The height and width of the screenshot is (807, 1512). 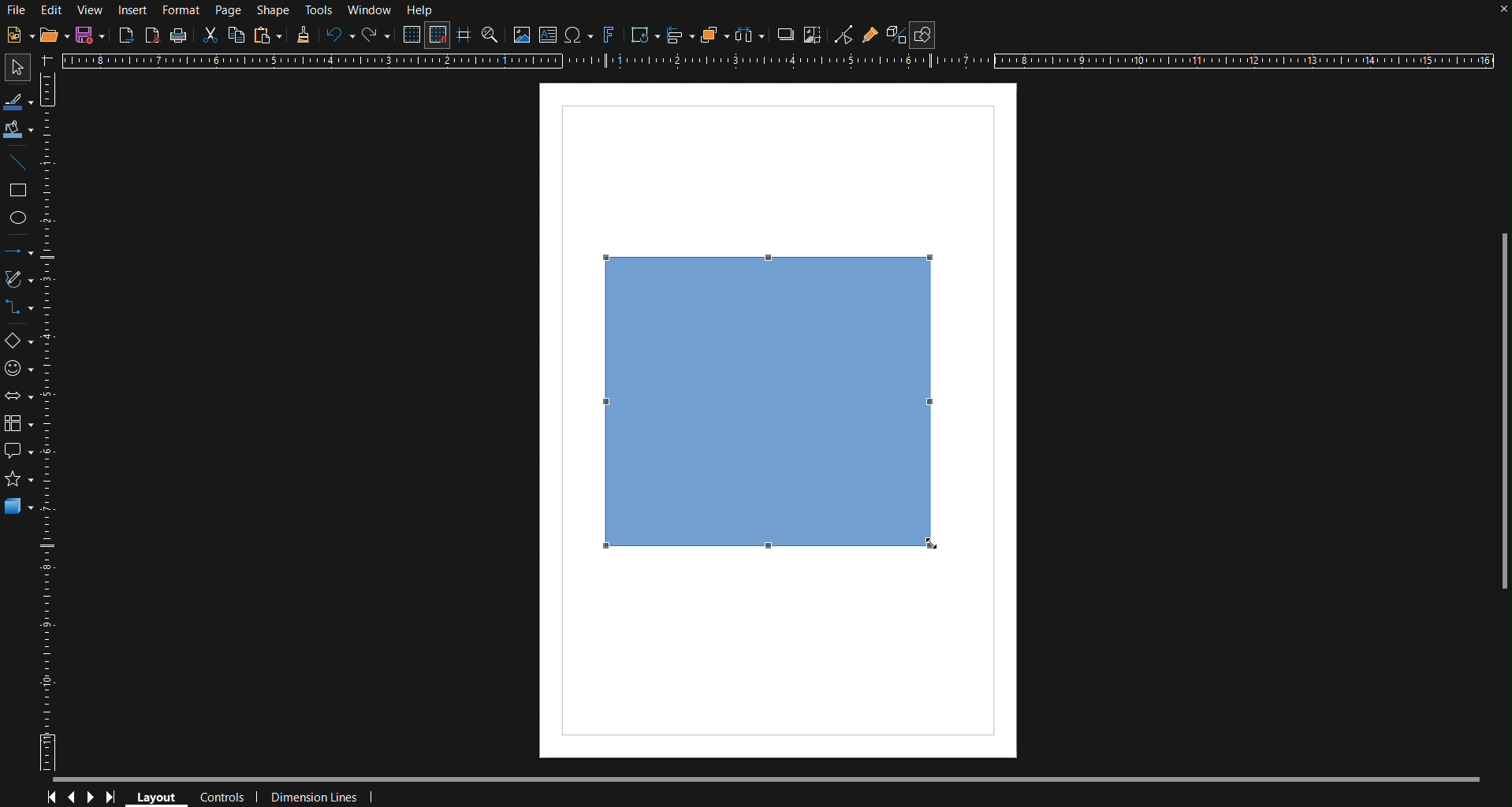 What do you see at coordinates (464, 34) in the screenshot?
I see `Guidelines while moving` at bounding box center [464, 34].